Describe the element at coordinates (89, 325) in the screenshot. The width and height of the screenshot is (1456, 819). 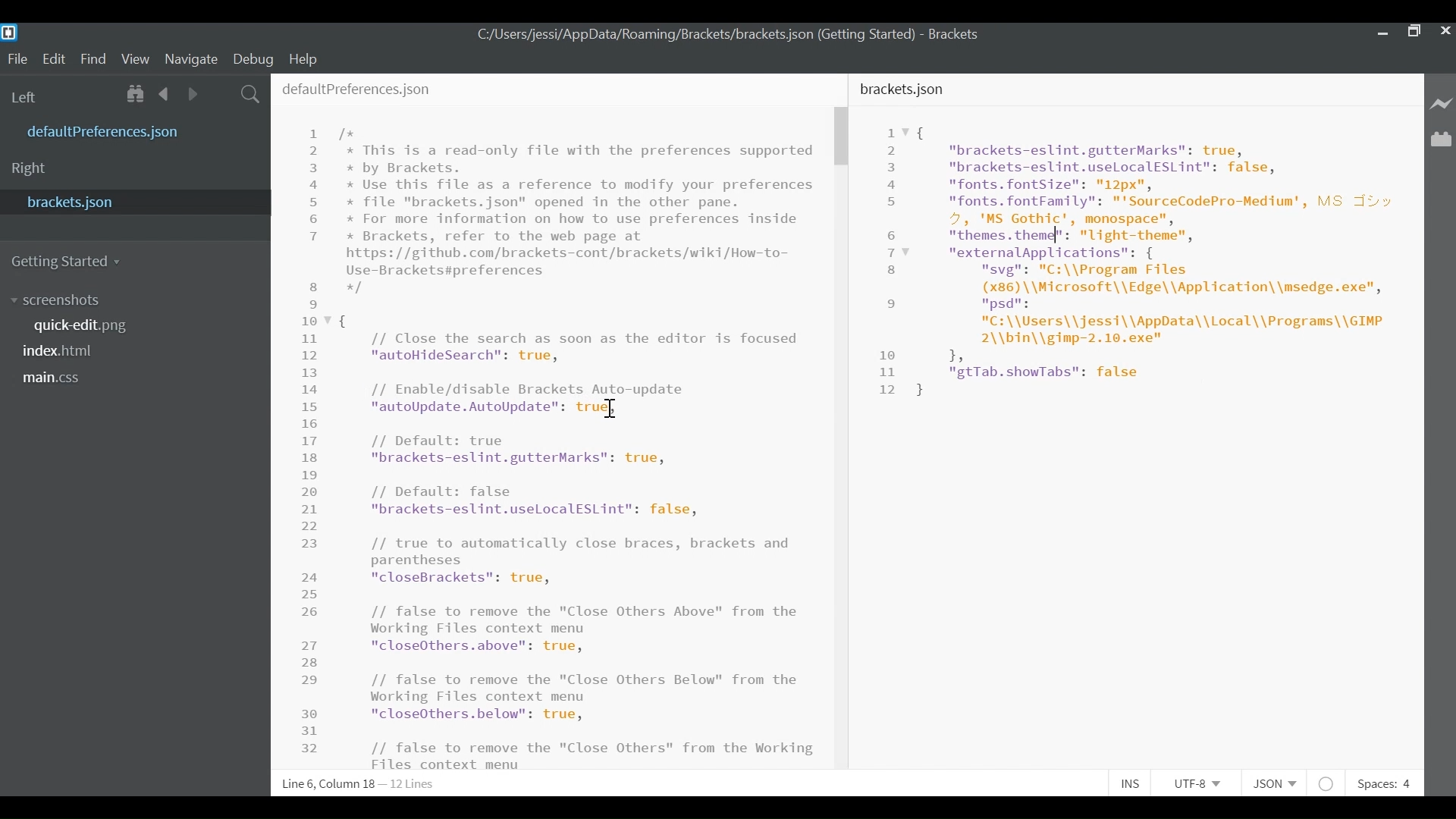
I see `quickedit.png` at that location.